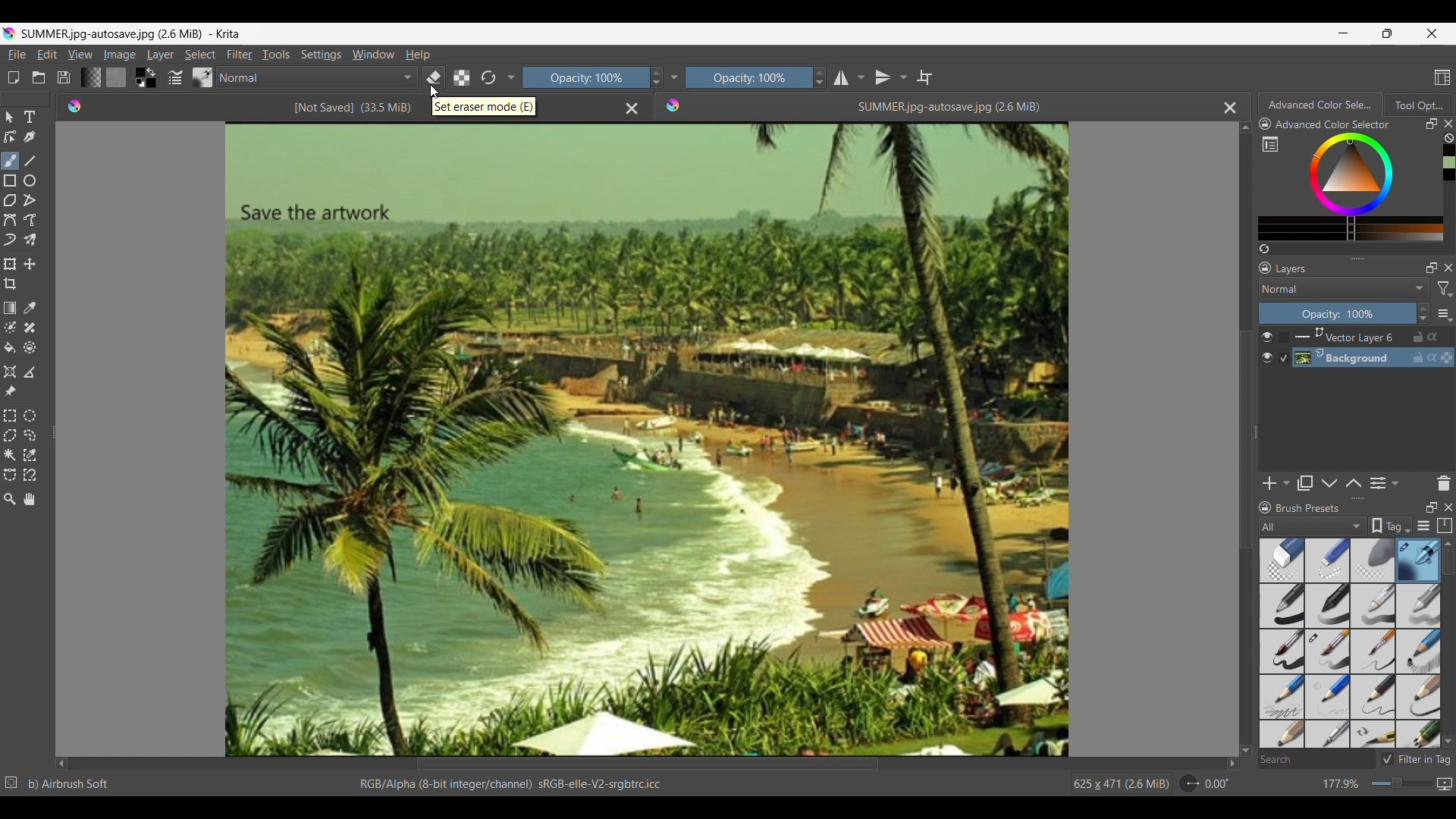 The image size is (1456, 819). Describe the element at coordinates (1344, 288) in the screenshot. I see `Layer mode options` at that location.